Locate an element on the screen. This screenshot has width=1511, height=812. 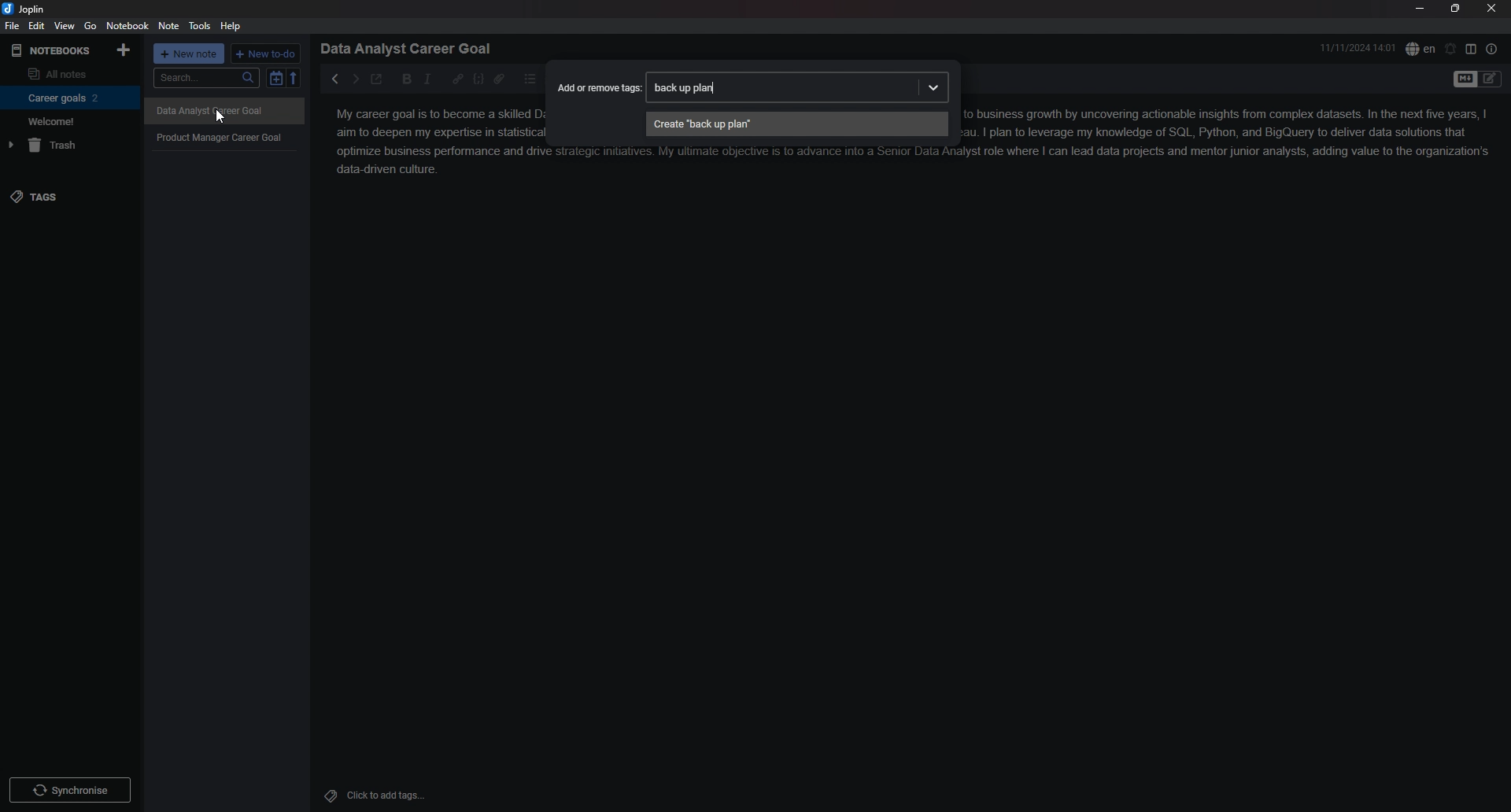
close is located at coordinates (1491, 8).